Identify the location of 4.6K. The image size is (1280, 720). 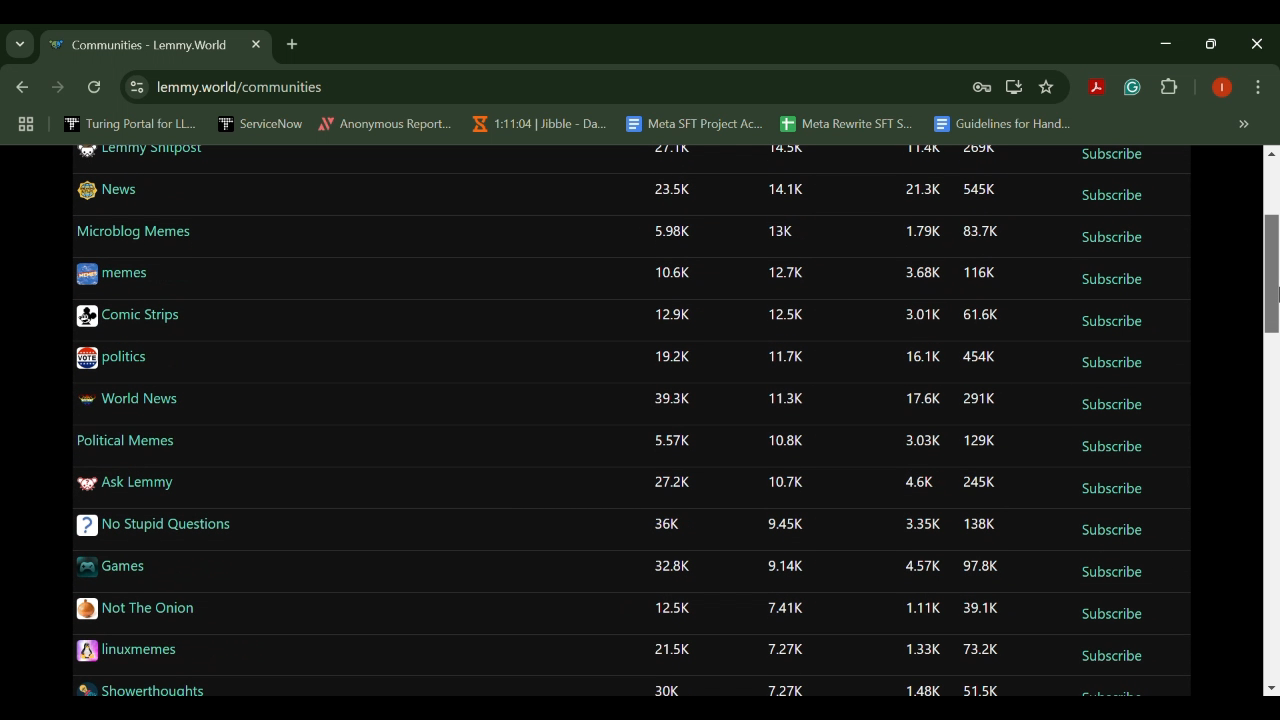
(918, 483).